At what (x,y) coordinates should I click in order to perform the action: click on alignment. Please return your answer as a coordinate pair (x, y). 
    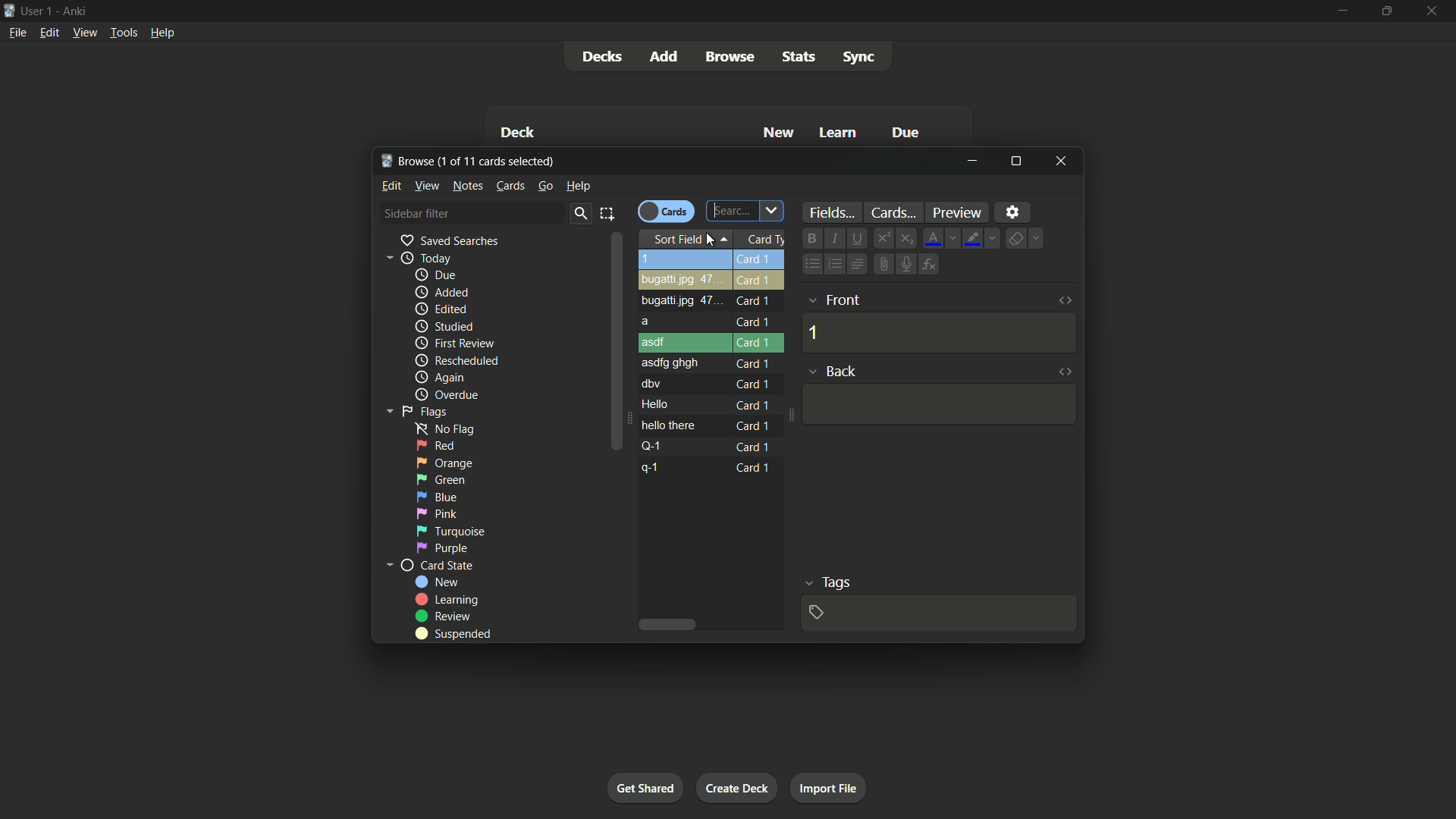
    Looking at the image, I should click on (856, 263).